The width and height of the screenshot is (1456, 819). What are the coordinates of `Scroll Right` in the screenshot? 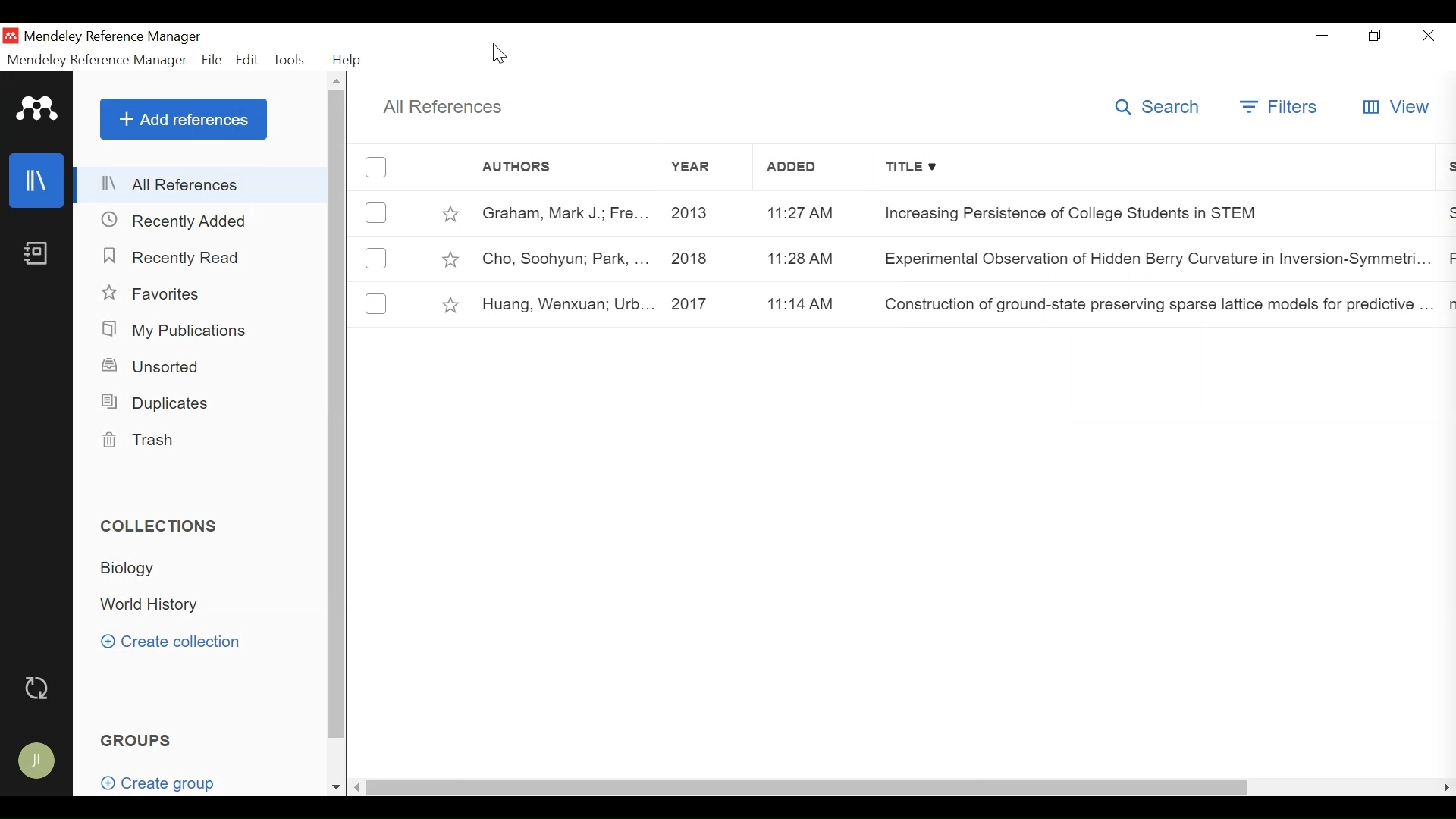 It's located at (1447, 788).